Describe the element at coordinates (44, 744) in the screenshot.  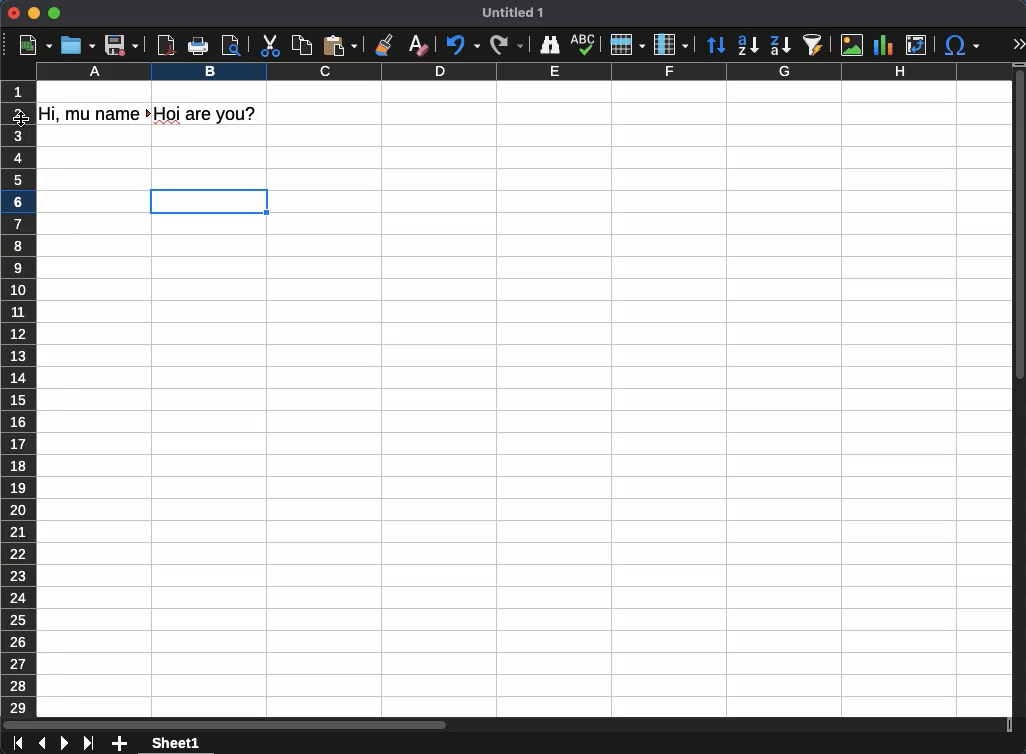
I see `previous sheet` at that location.